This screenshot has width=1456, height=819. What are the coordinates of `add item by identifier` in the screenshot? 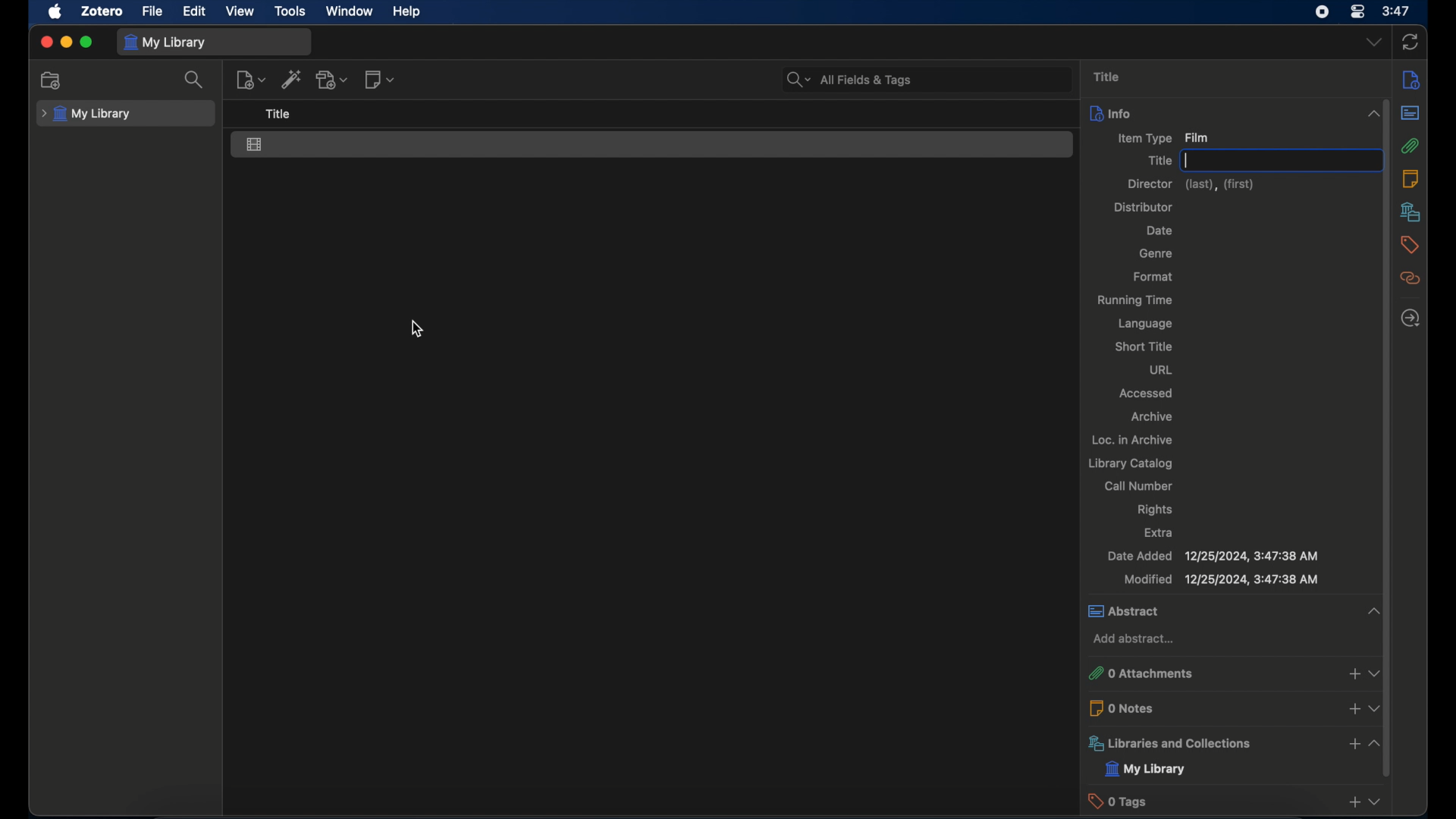 It's located at (291, 80).